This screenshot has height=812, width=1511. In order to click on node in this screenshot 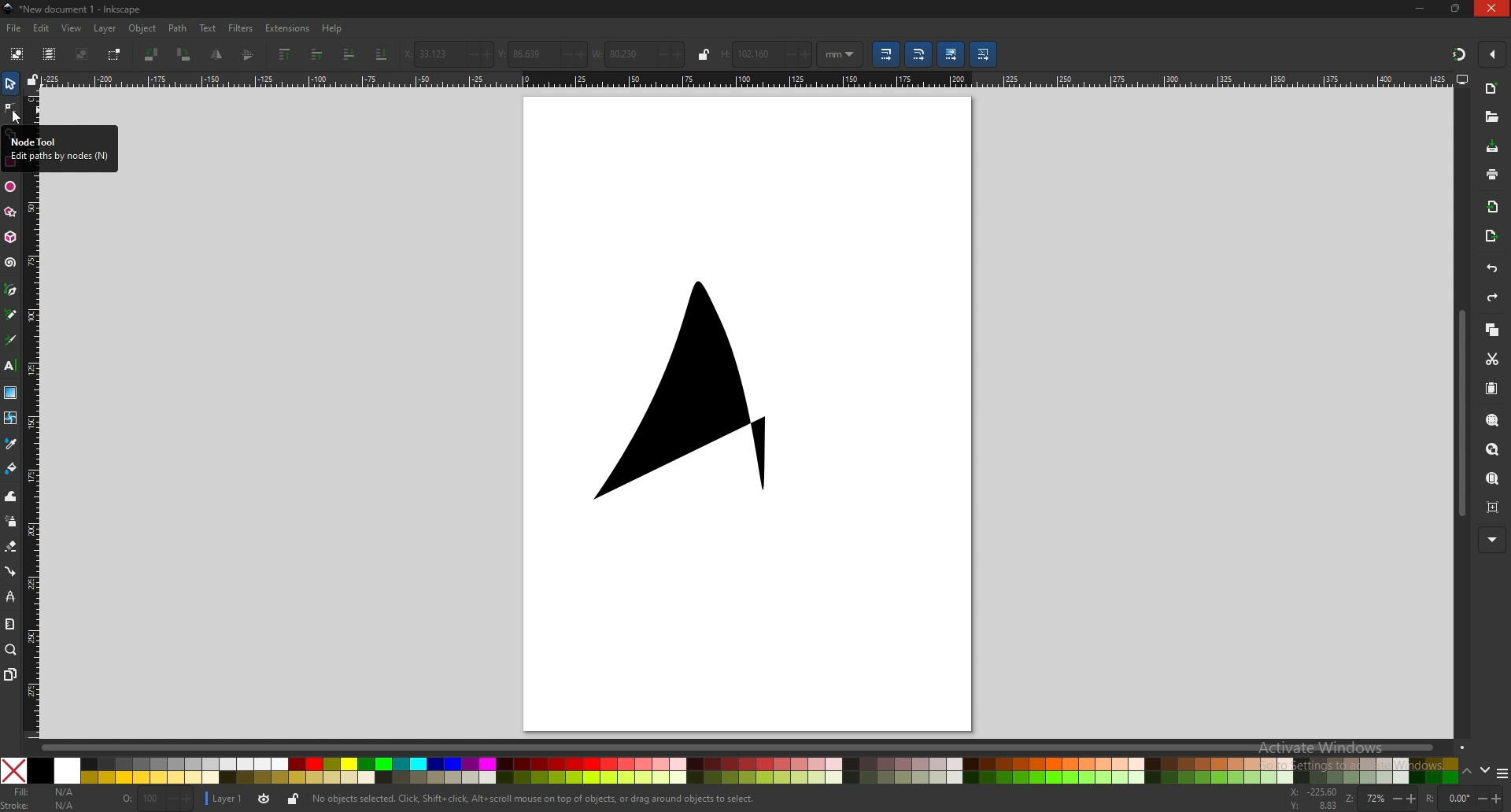, I will do `click(9, 108)`.